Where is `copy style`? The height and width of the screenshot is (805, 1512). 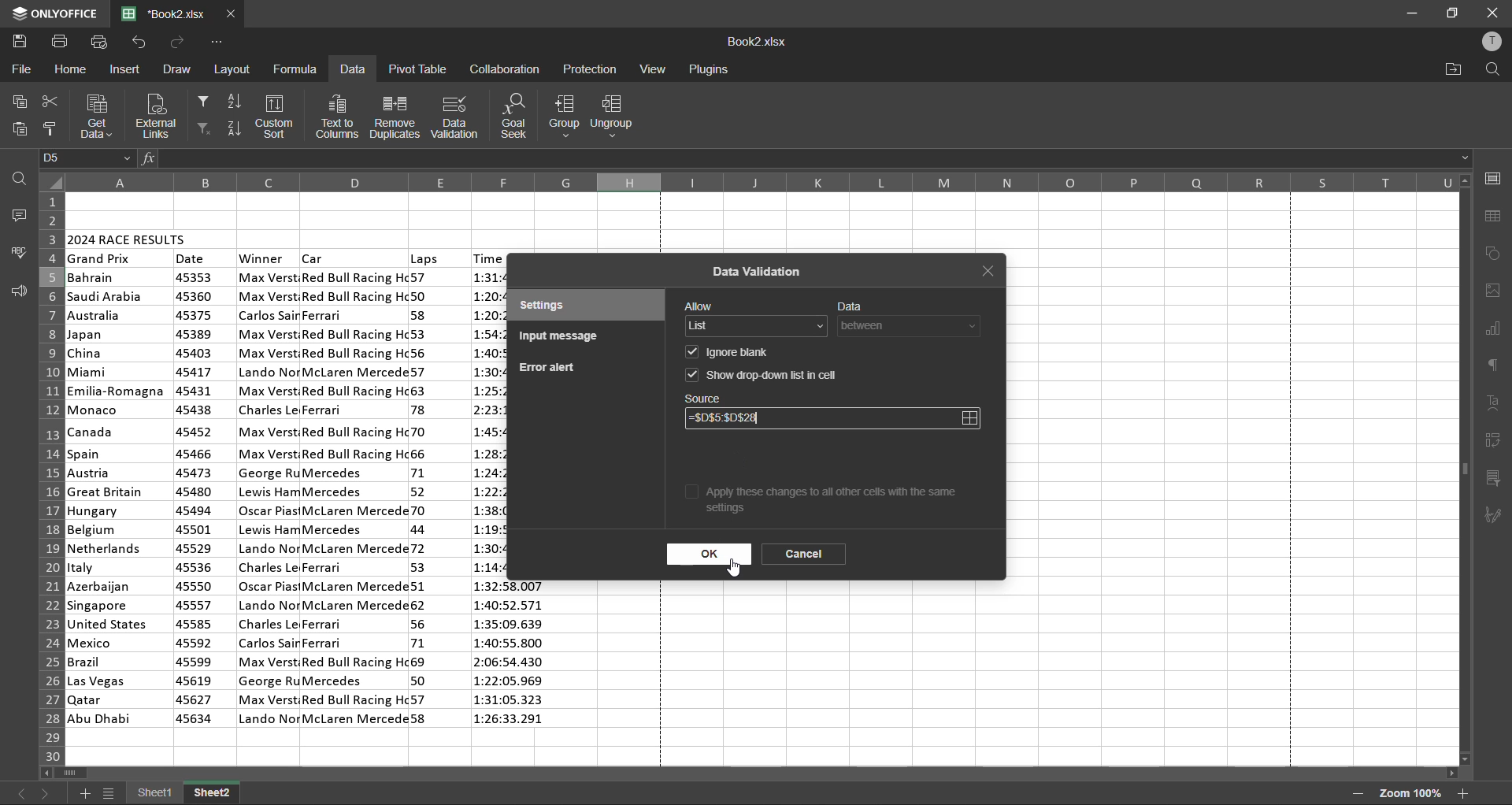
copy style is located at coordinates (53, 129).